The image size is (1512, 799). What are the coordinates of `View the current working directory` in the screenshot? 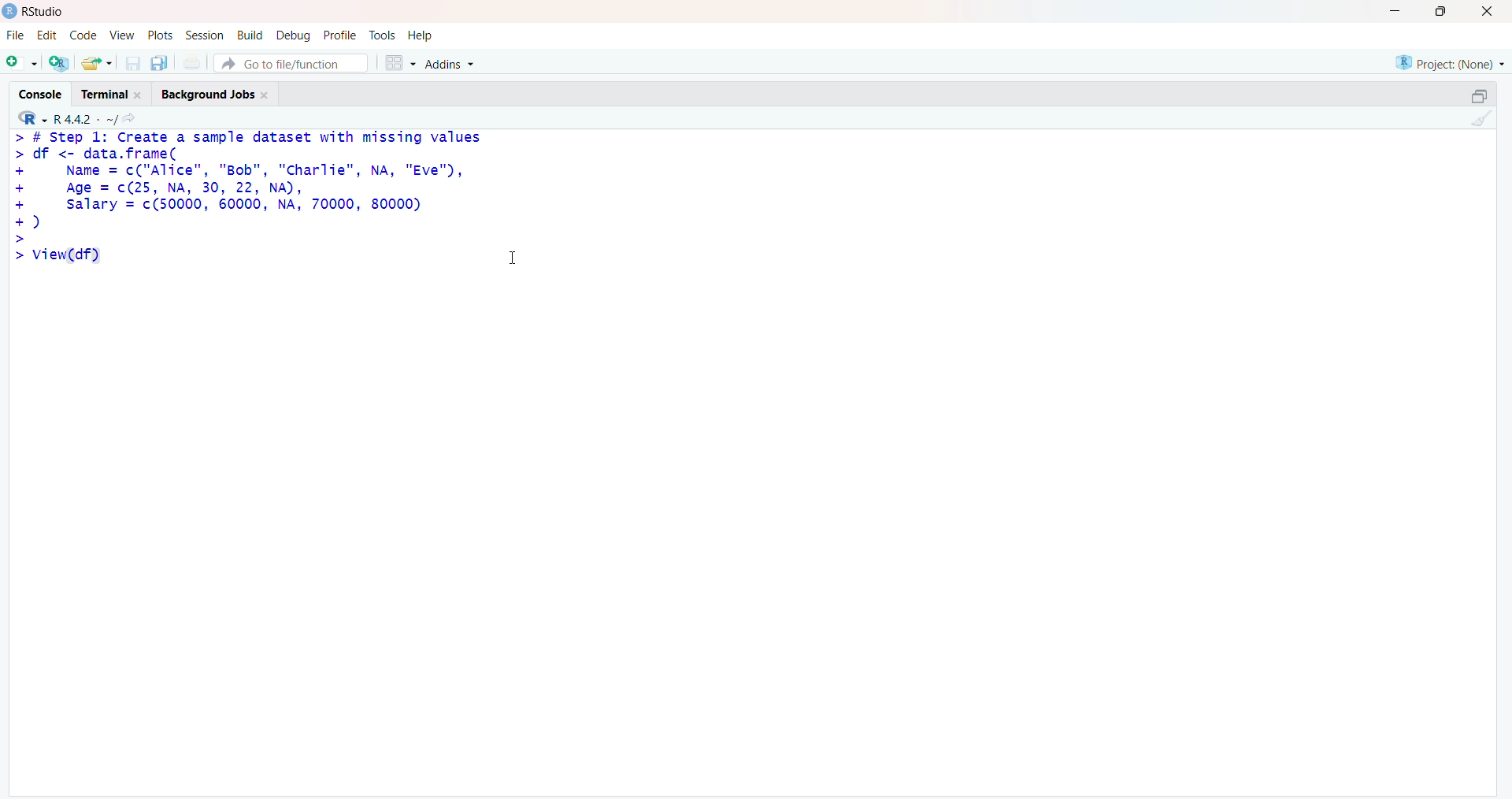 It's located at (135, 119).